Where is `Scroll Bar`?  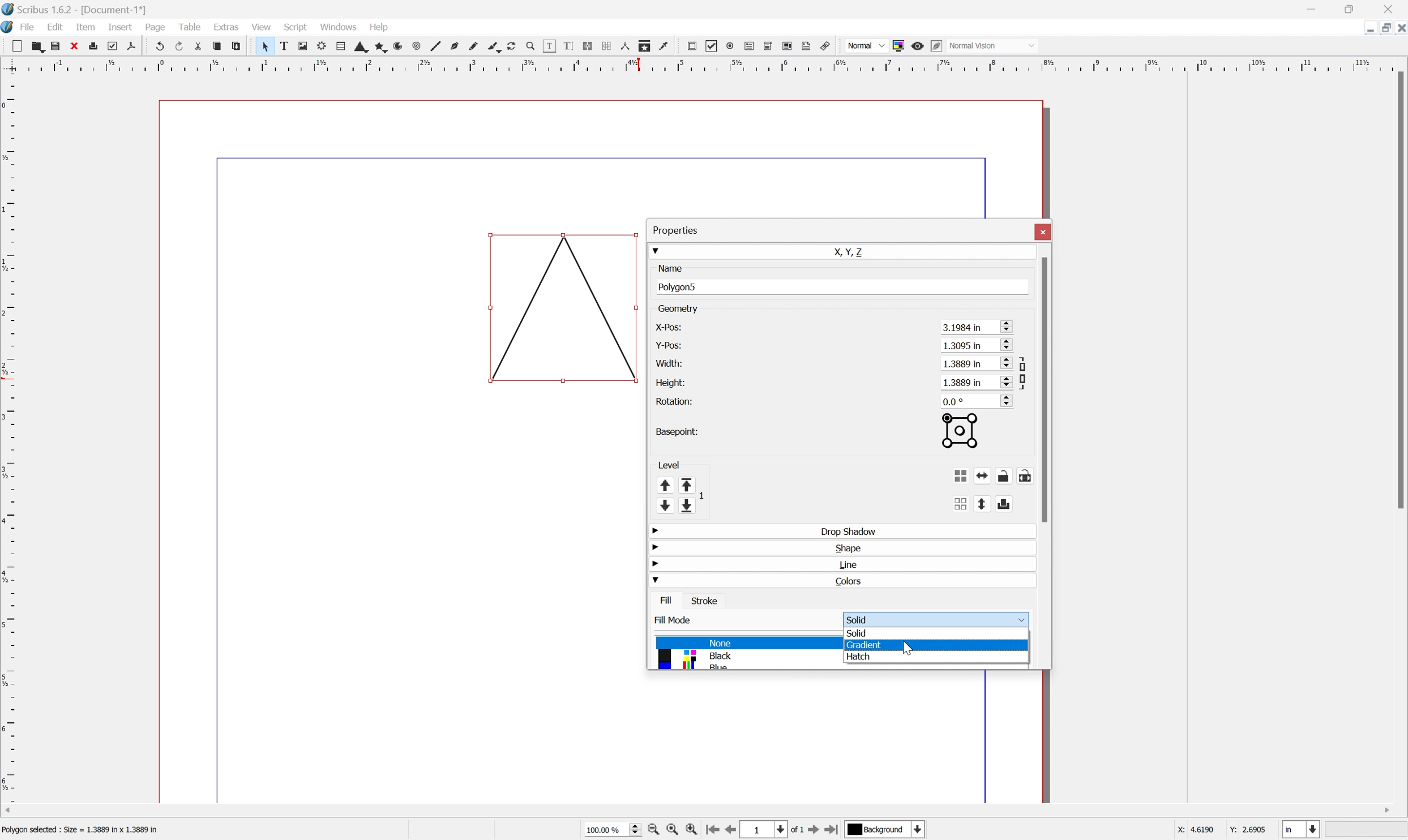
Scroll Bar is located at coordinates (1399, 290).